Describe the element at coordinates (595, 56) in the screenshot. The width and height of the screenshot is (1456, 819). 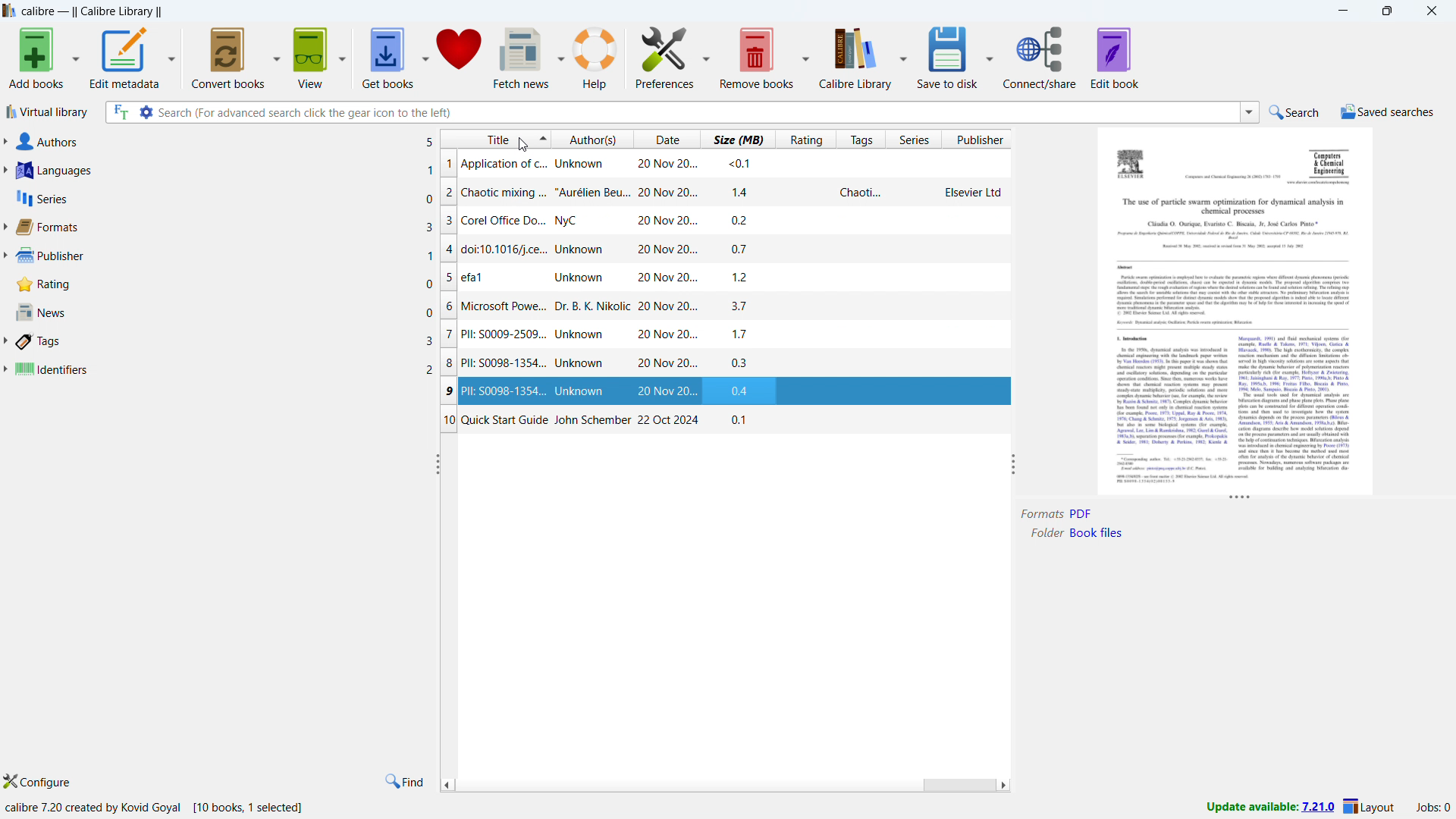
I see `help` at that location.